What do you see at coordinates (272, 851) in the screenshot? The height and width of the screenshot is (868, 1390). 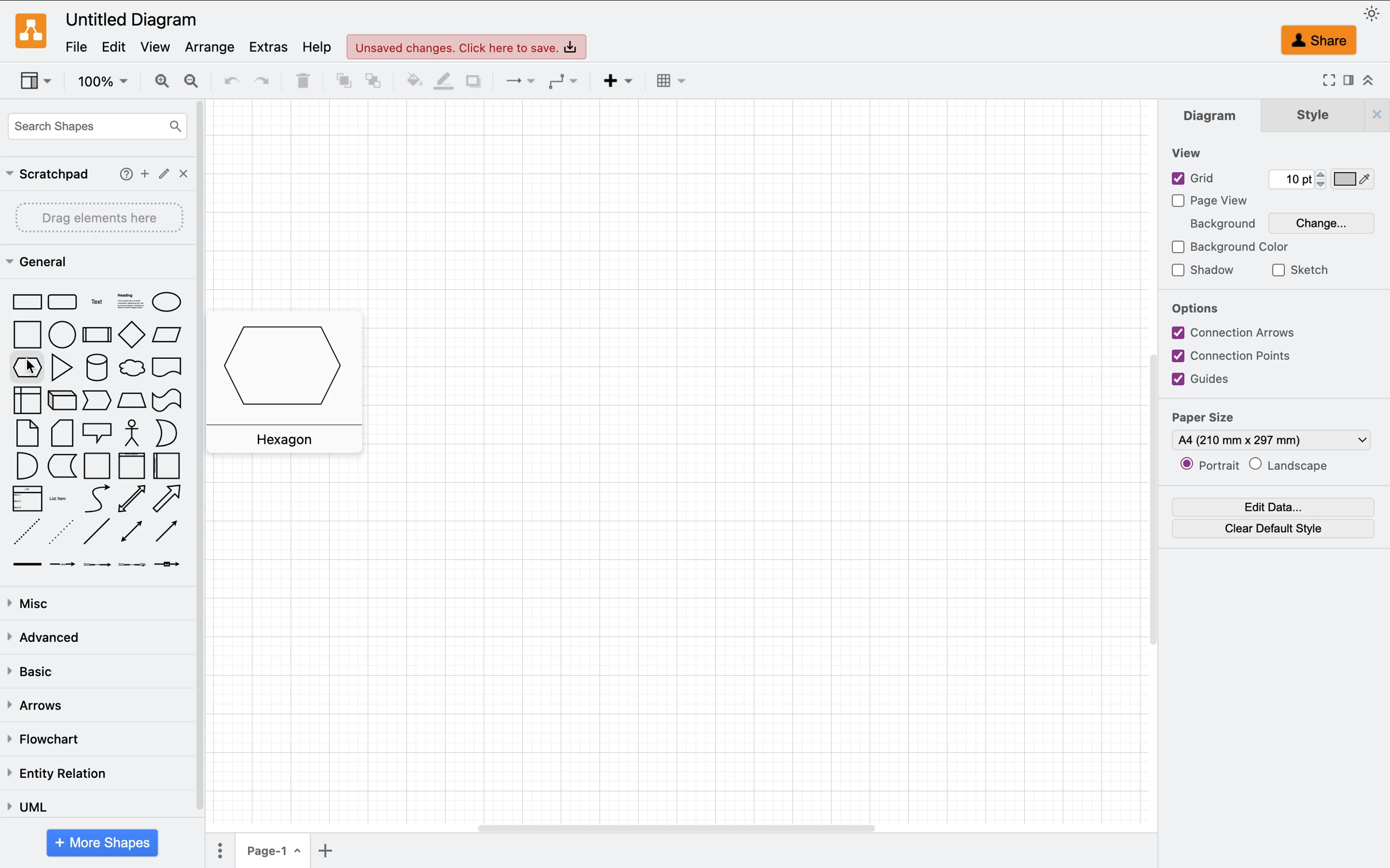 I see `page 1` at bounding box center [272, 851].